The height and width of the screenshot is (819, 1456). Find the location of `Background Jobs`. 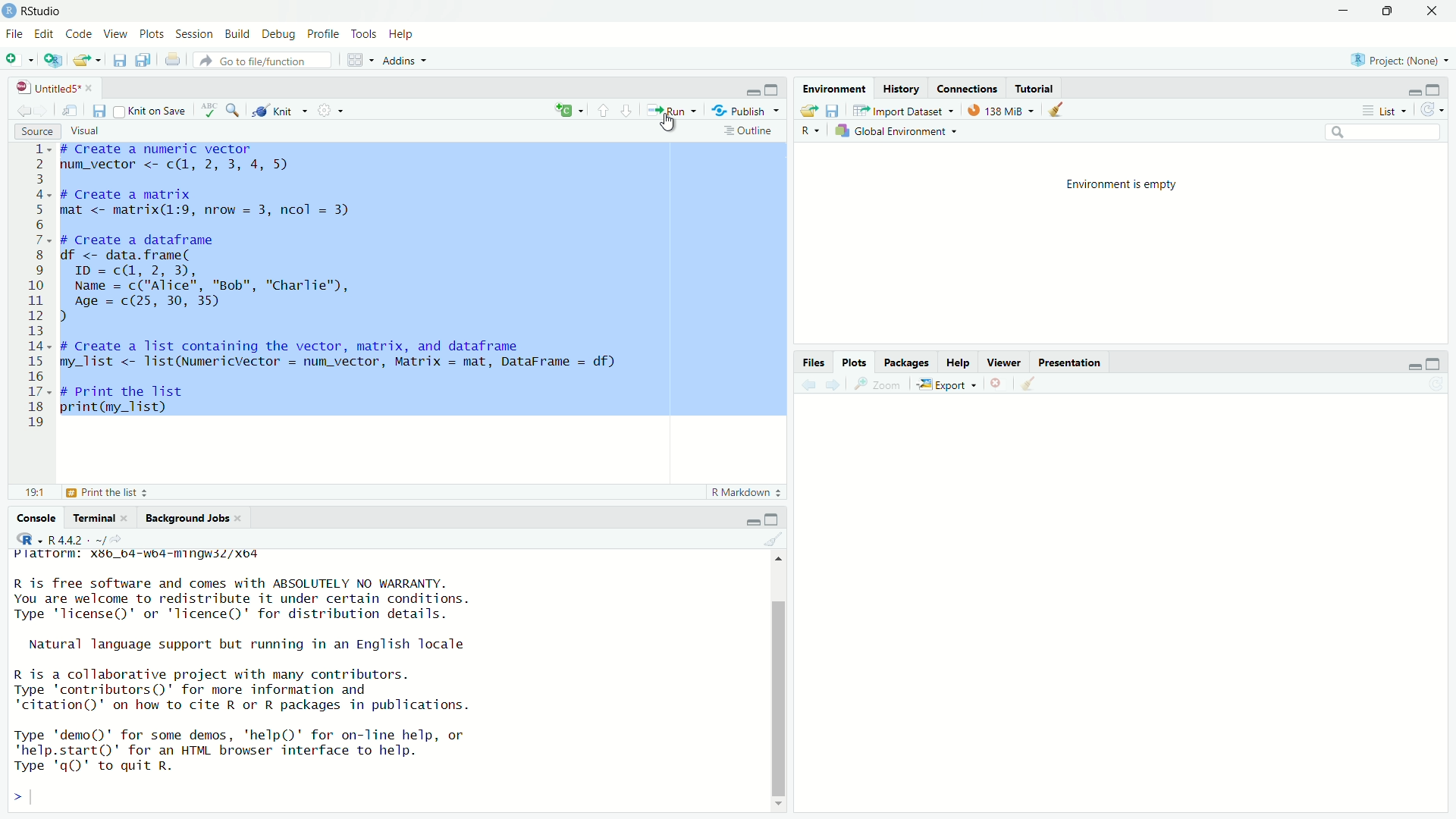

Background Jobs is located at coordinates (193, 519).